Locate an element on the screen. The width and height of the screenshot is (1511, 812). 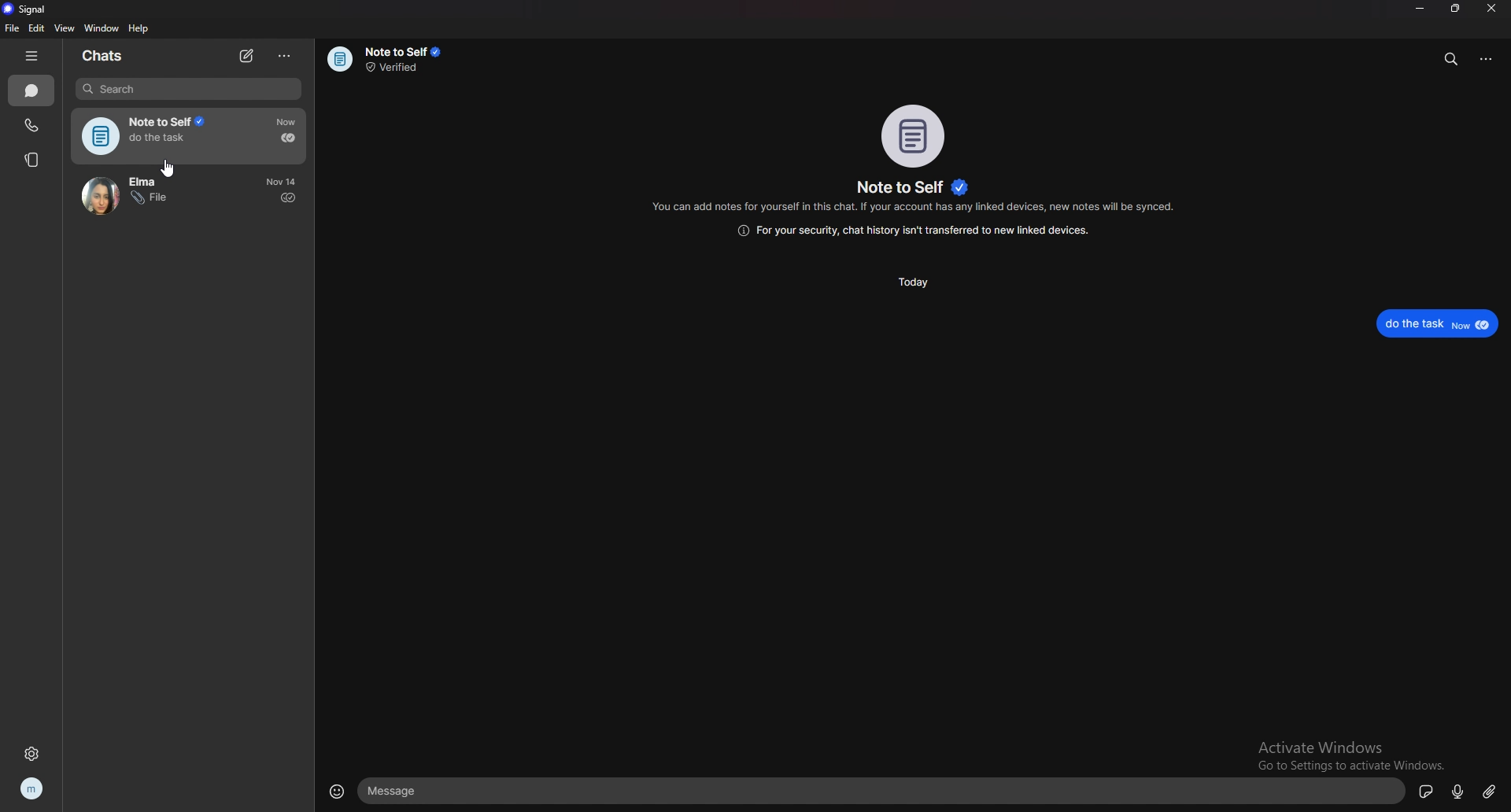
sticker is located at coordinates (1427, 791).